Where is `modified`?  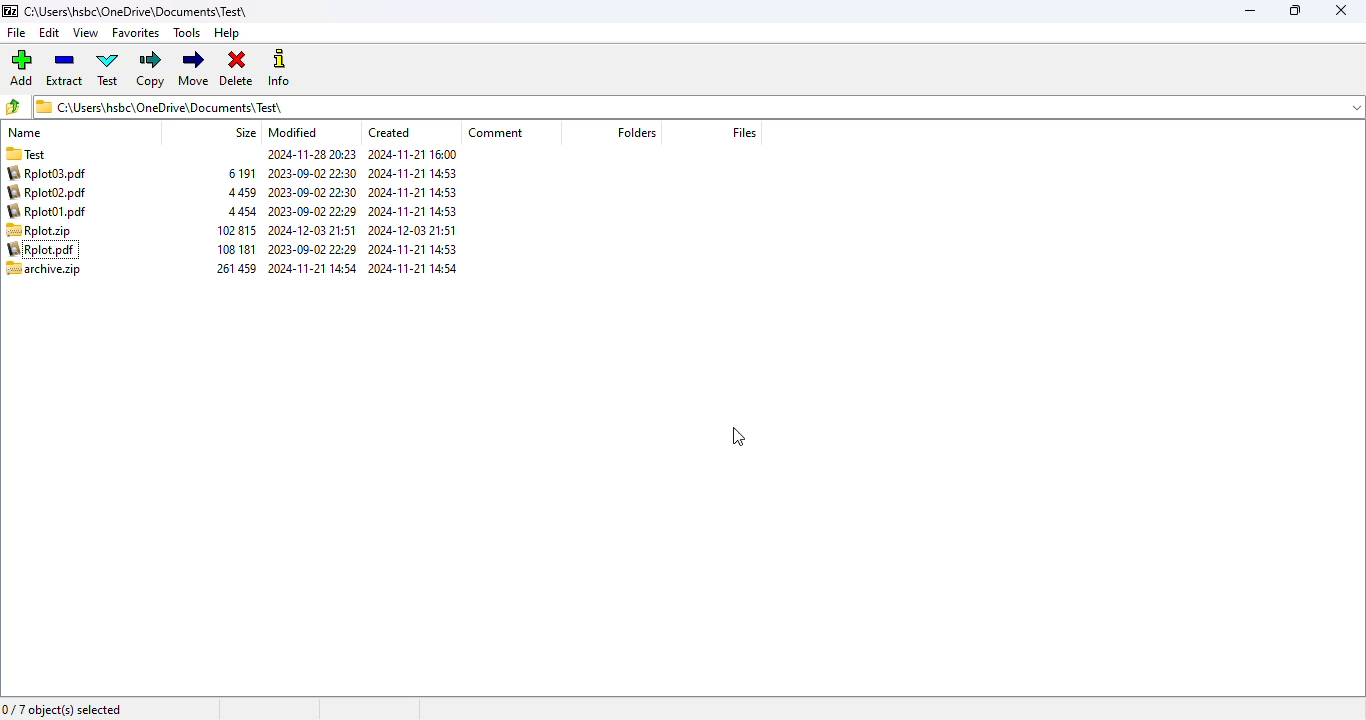
modified is located at coordinates (293, 132).